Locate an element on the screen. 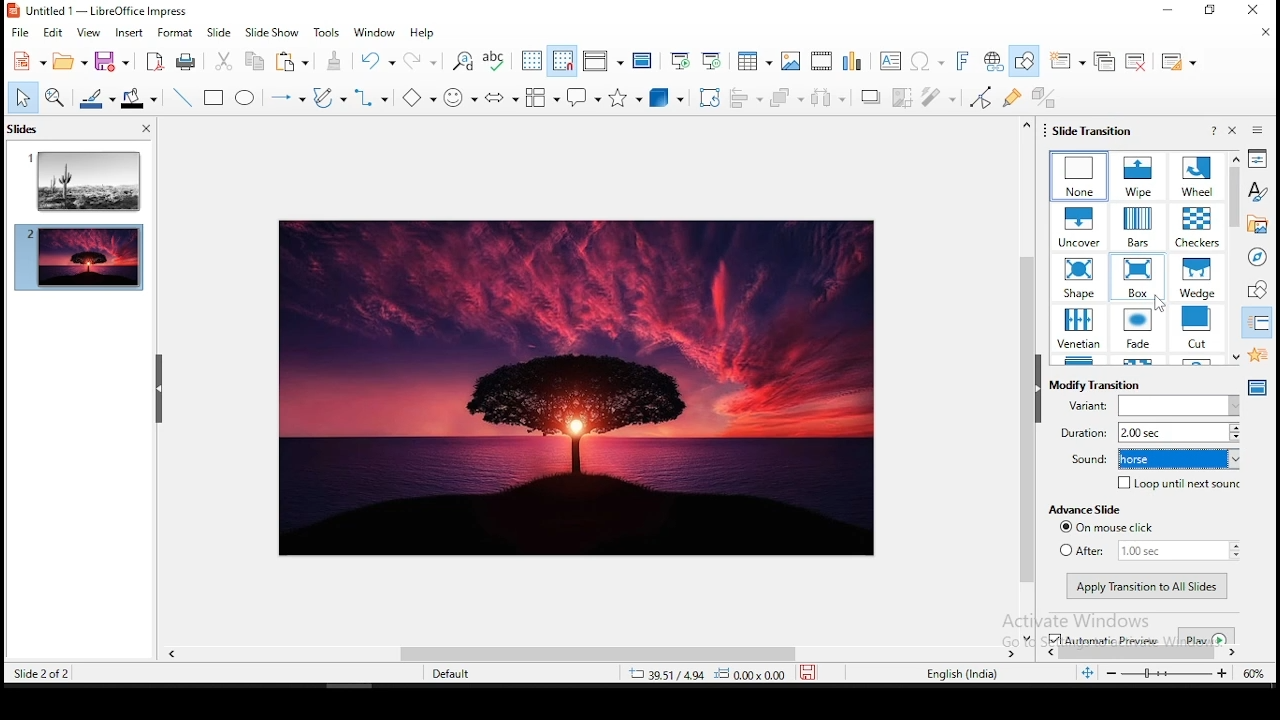 The width and height of the screenshot is (1280, 720). transition effects is located at coordinates (1139, 176).